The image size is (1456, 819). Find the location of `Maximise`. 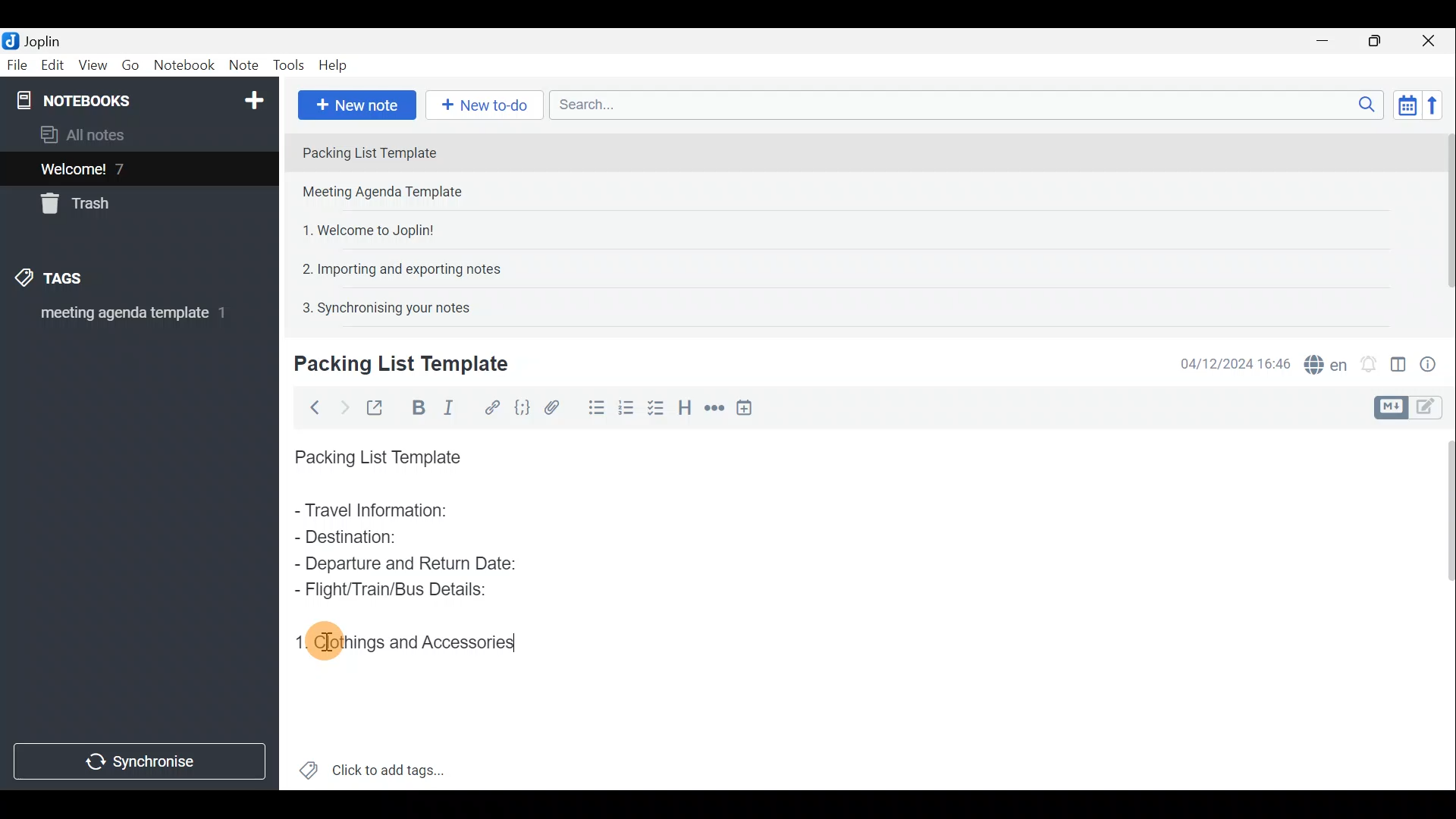

Maximise is located at coordinates (1380, 41).